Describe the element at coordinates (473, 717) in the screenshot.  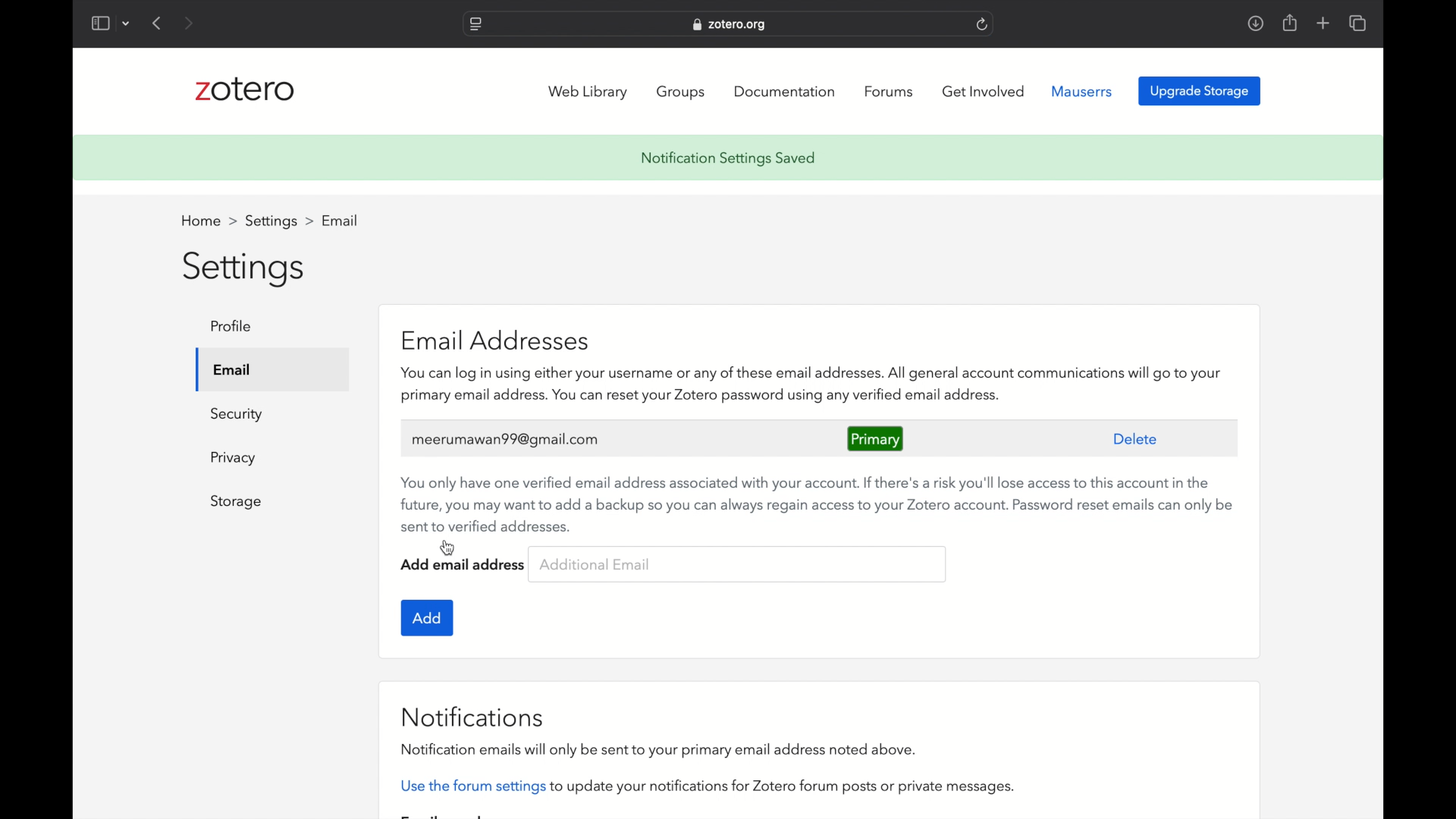
I see `notifications` at that location.